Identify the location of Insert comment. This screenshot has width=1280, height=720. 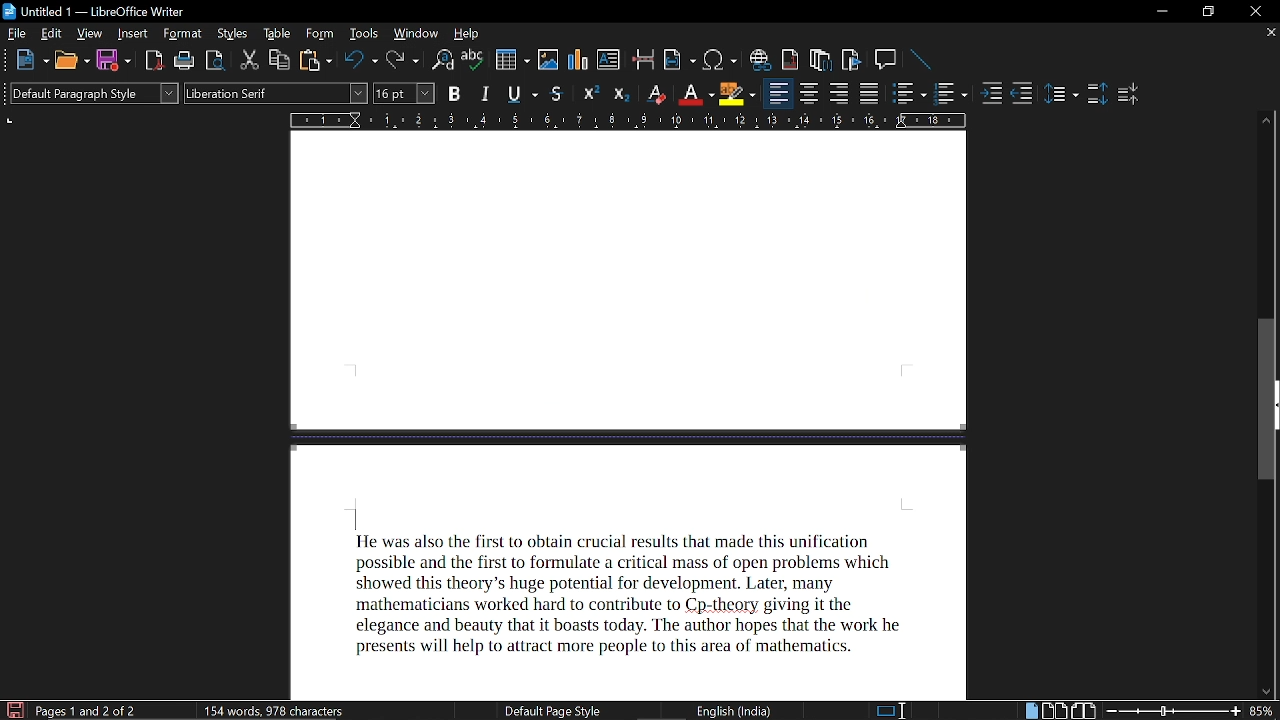
(886, 60).